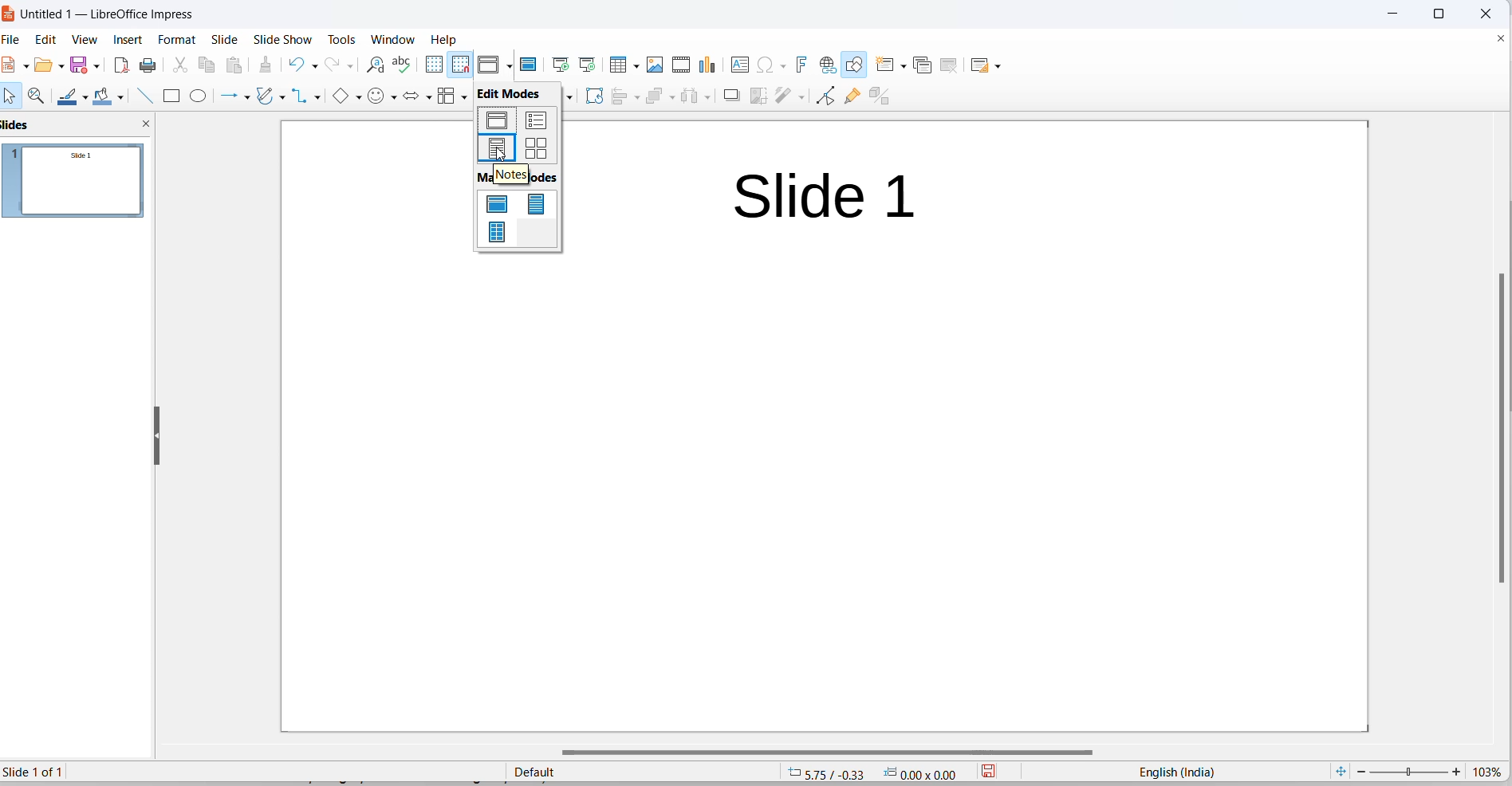 The height and width of the screenshot is (786, 1512). What do you see at coordinates (319, 97) in the screenshot?
I see `connectors option` at bounding box center [319, 97].